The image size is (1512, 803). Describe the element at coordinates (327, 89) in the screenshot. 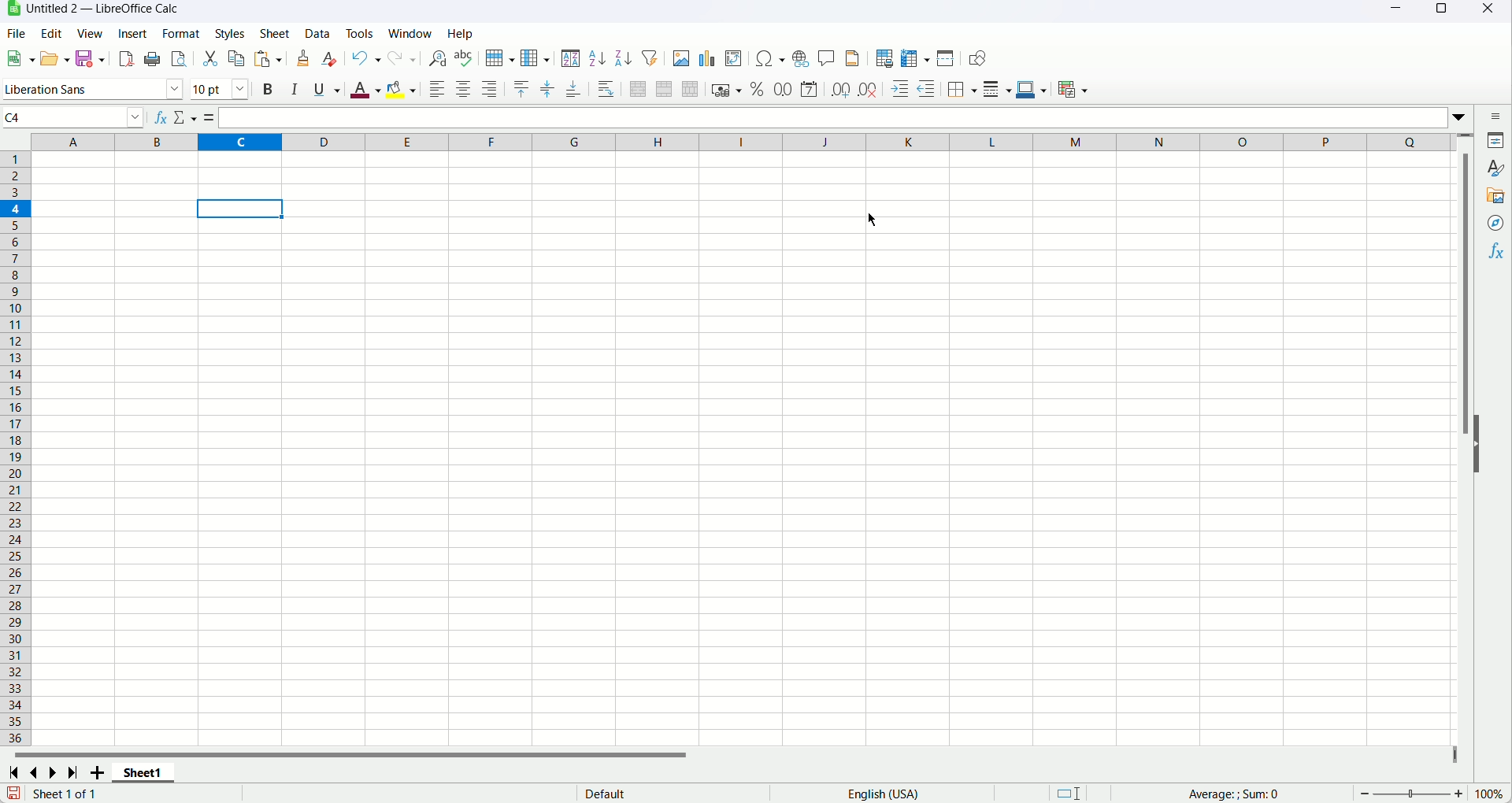

I see `Underline` at that location.